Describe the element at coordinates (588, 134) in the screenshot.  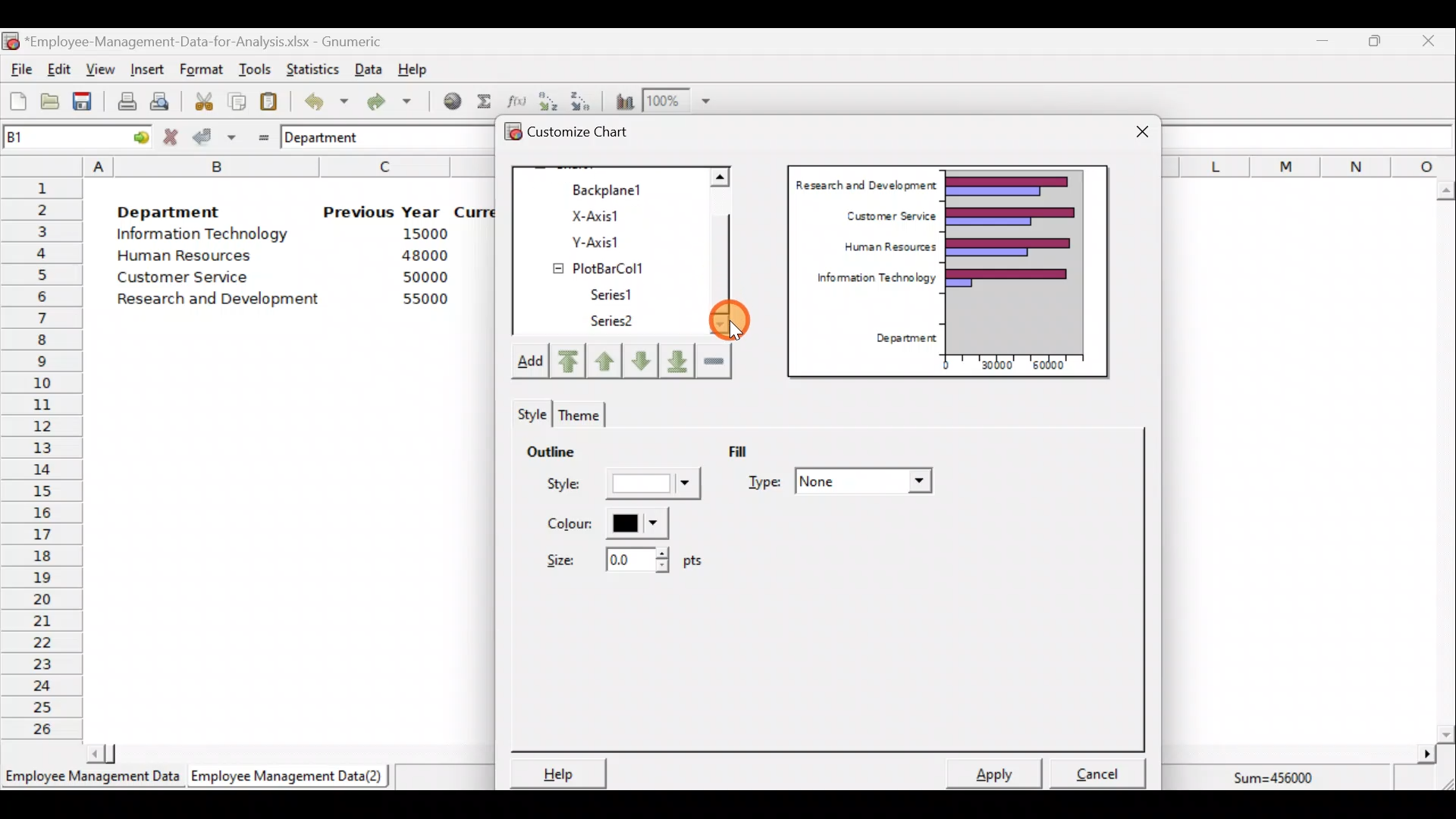
I see `Customize chart` at that location.